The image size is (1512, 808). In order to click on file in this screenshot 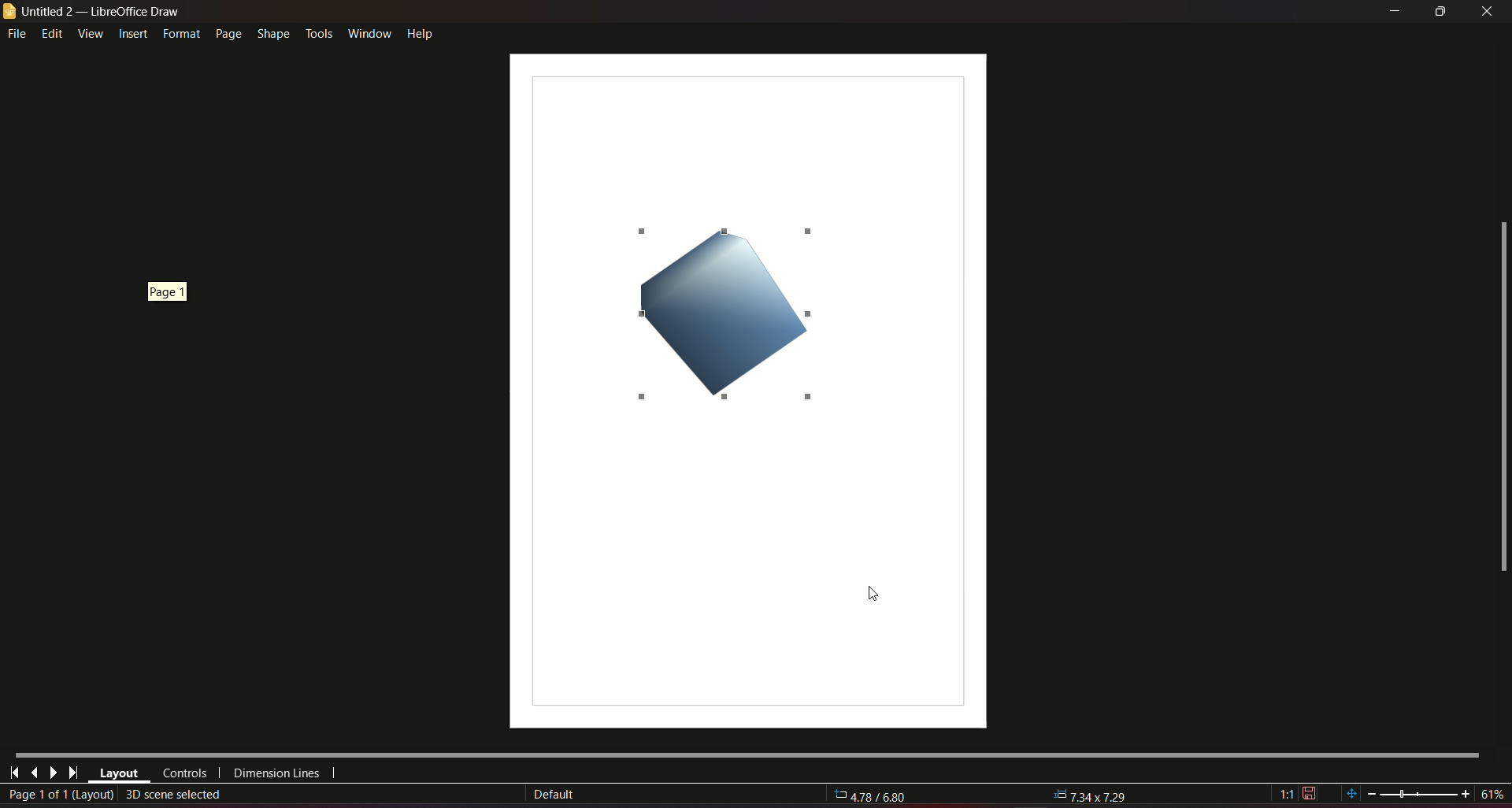, I will do `click(18, 35)`.